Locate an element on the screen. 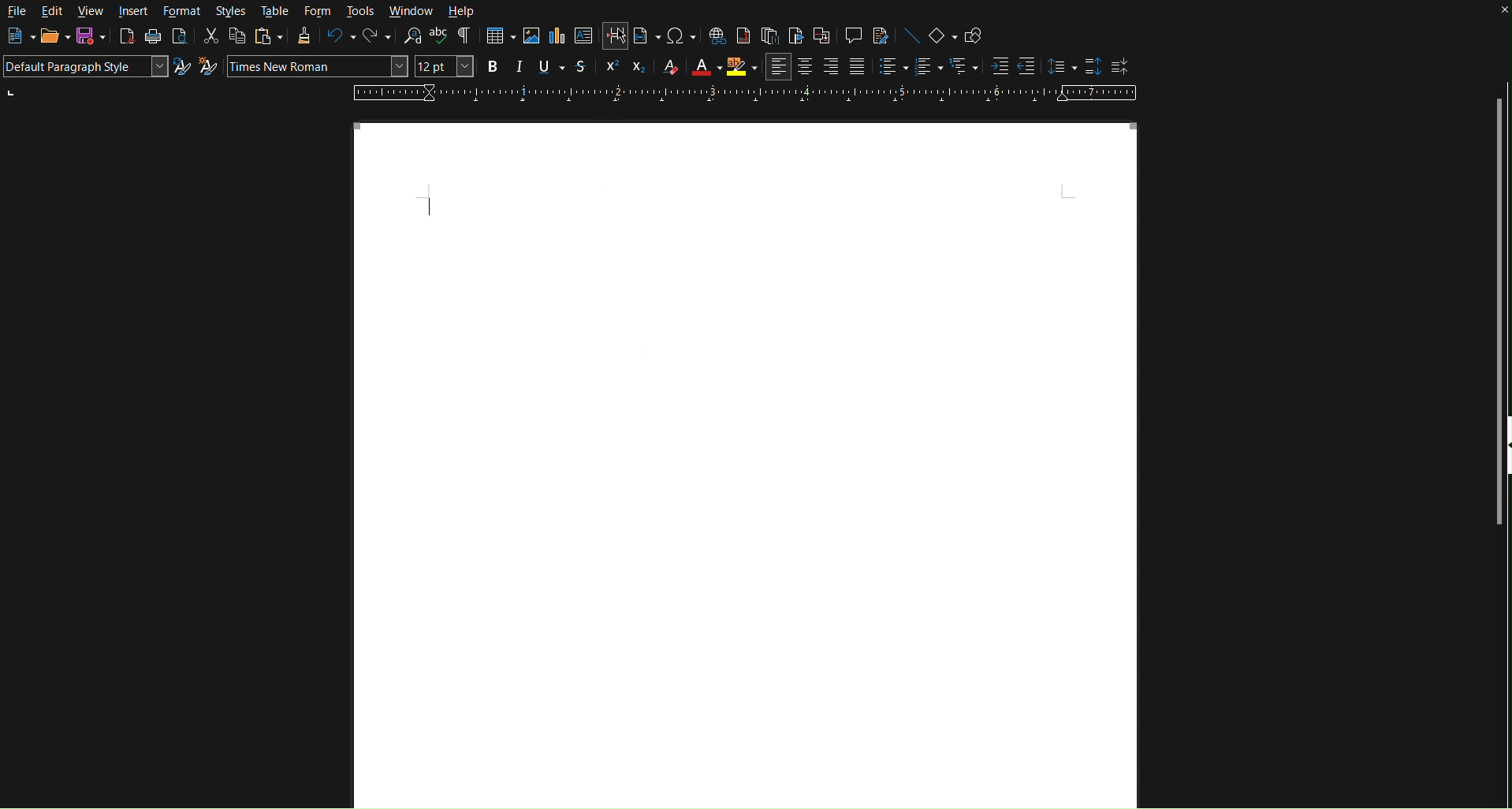  Superscript is located at coordinates (610, 68).